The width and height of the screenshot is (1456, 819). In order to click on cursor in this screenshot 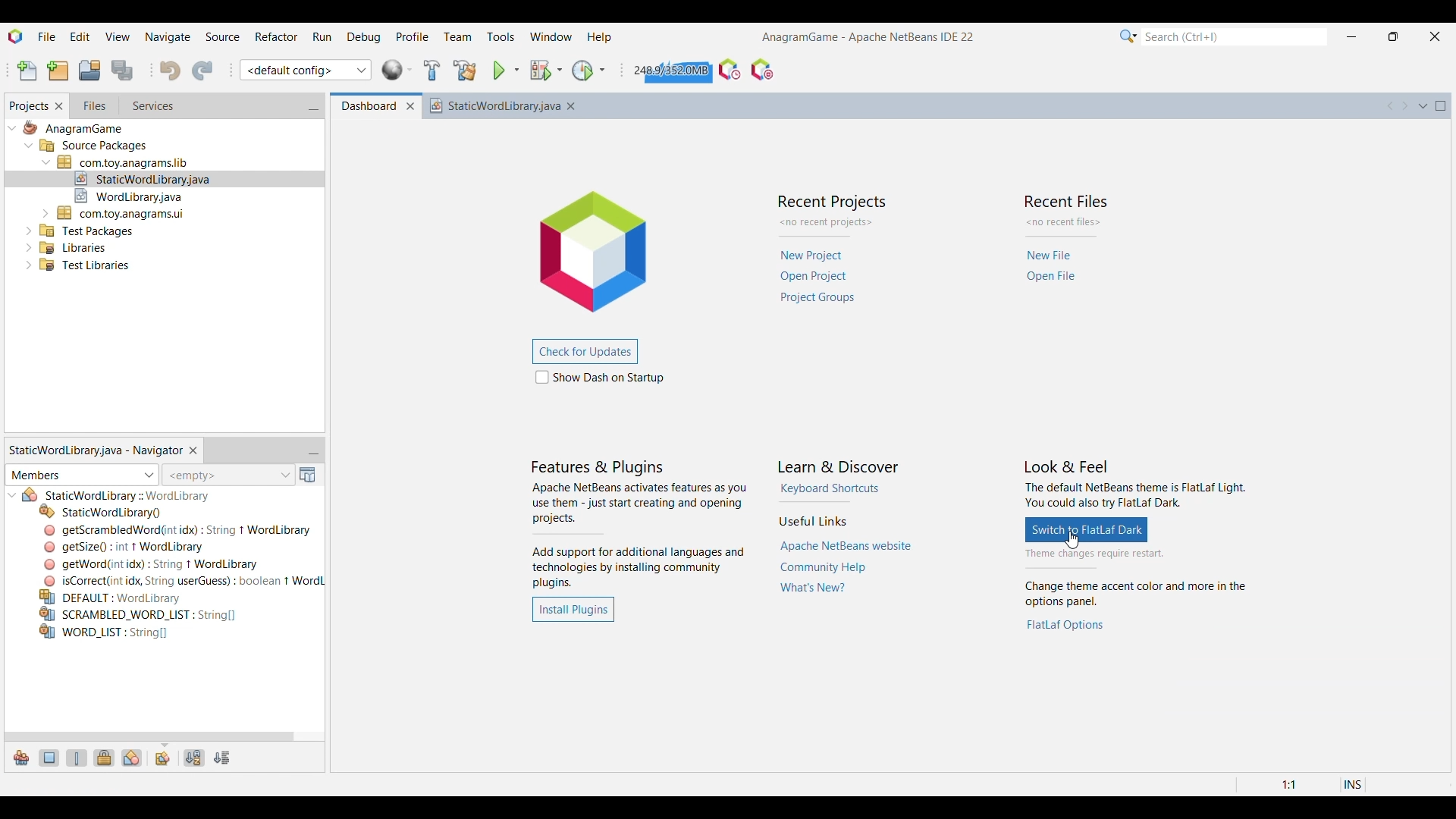, I will do `click(1075, 541)`.